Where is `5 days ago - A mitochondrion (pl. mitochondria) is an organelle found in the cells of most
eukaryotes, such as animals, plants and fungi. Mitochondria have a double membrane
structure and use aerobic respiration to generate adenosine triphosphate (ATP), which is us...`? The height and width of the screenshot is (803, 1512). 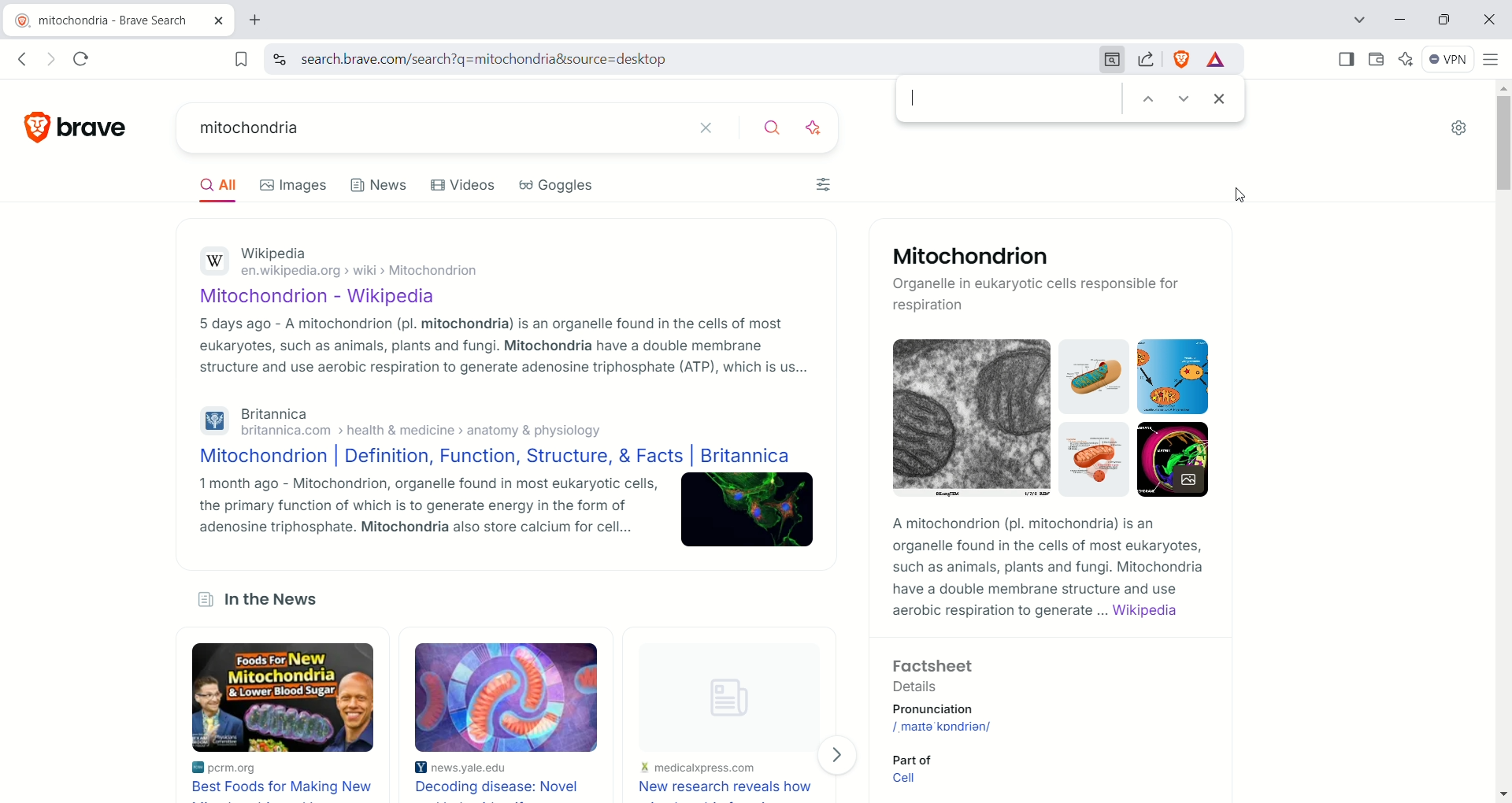
5 days ago - A mitochondrion (pl. mitochondria) is an organelle found in the cells of most
eukaryotes, such as animals, plants and fungi. Mitochondria have a double membrane
structure and use aerobic respiration to generate adenosine triphosphate (ATP), which is us... is located at coordinates (506, 350).